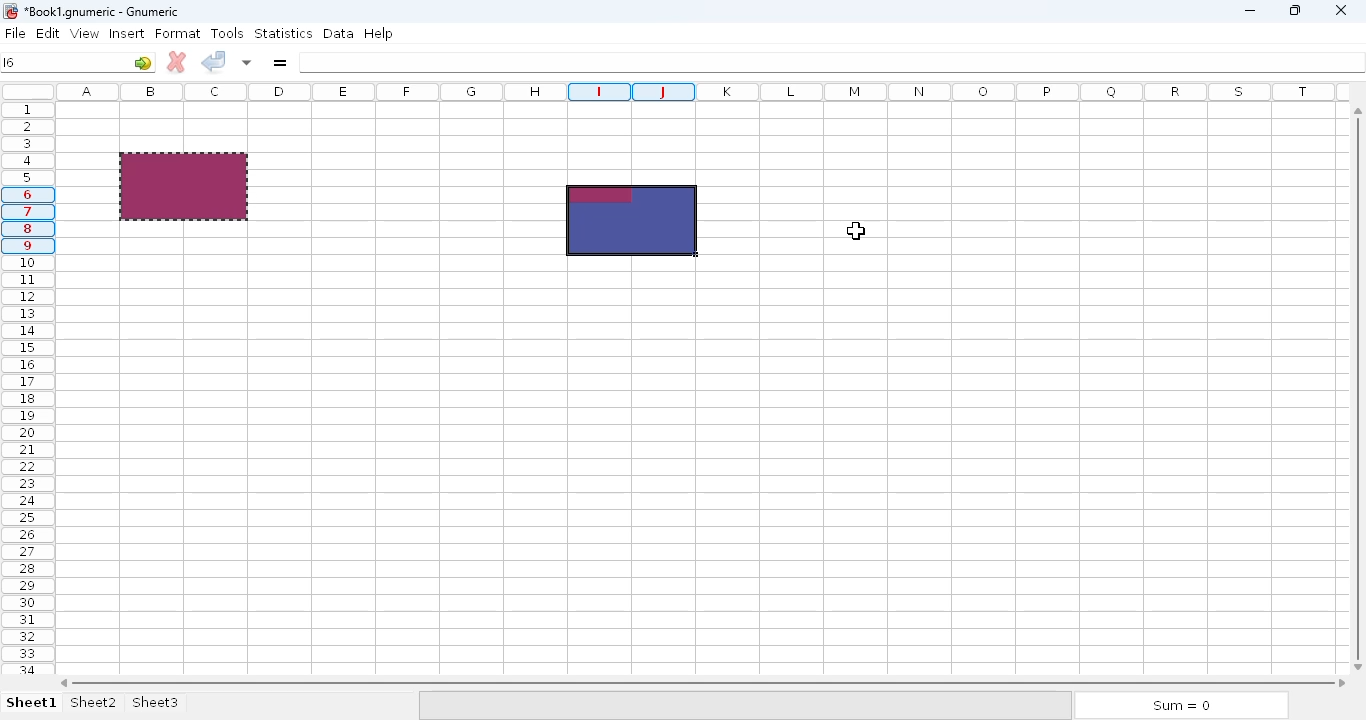 The height and width of the screenshot is (720, 1366). What do you see at coordinates (215, 61) in the screenshot?
I see `accept change` at bounding box center [215, 61].